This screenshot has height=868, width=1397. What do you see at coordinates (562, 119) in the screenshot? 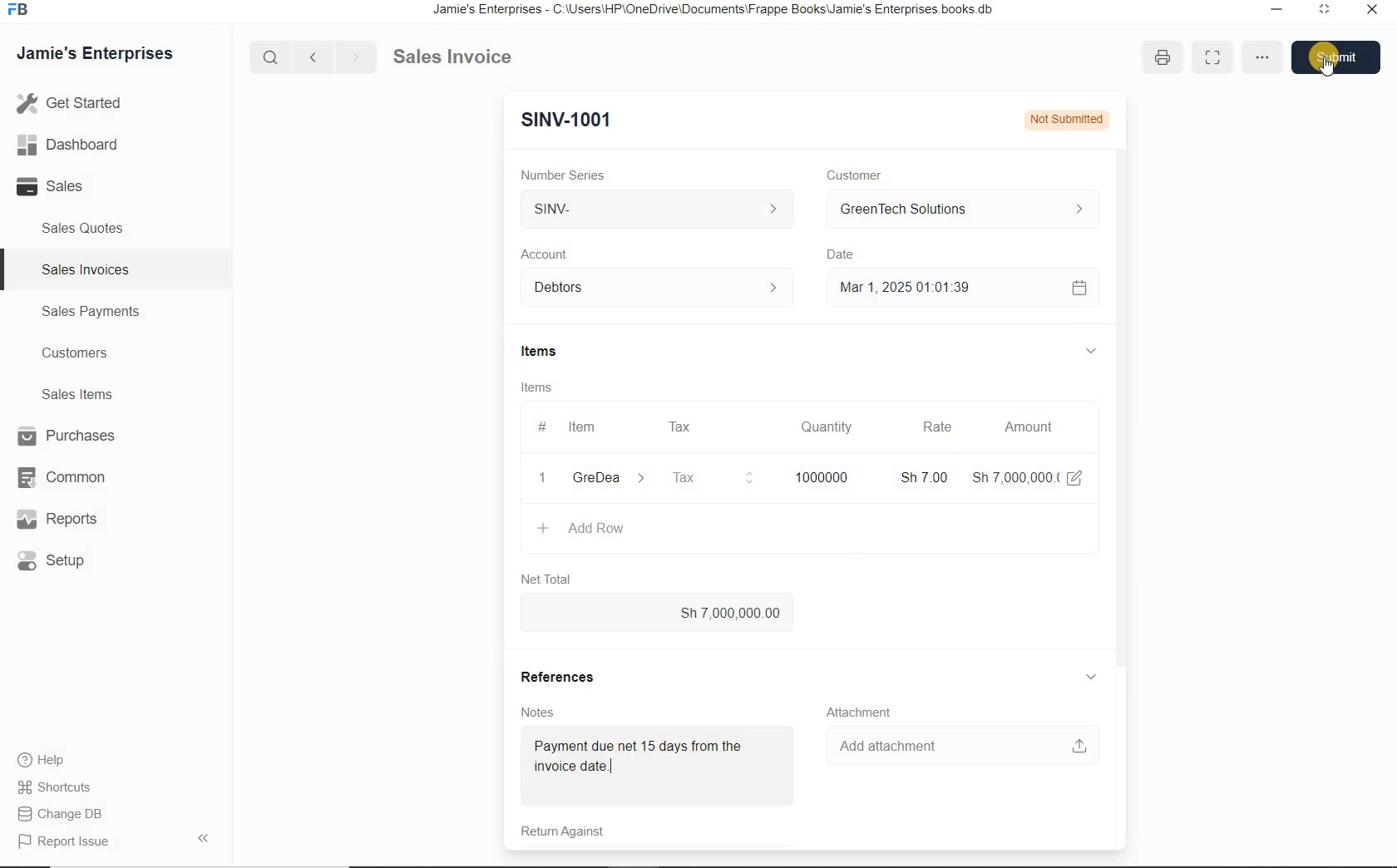
I see `SINV-1001` at bounding box center [562, 119].